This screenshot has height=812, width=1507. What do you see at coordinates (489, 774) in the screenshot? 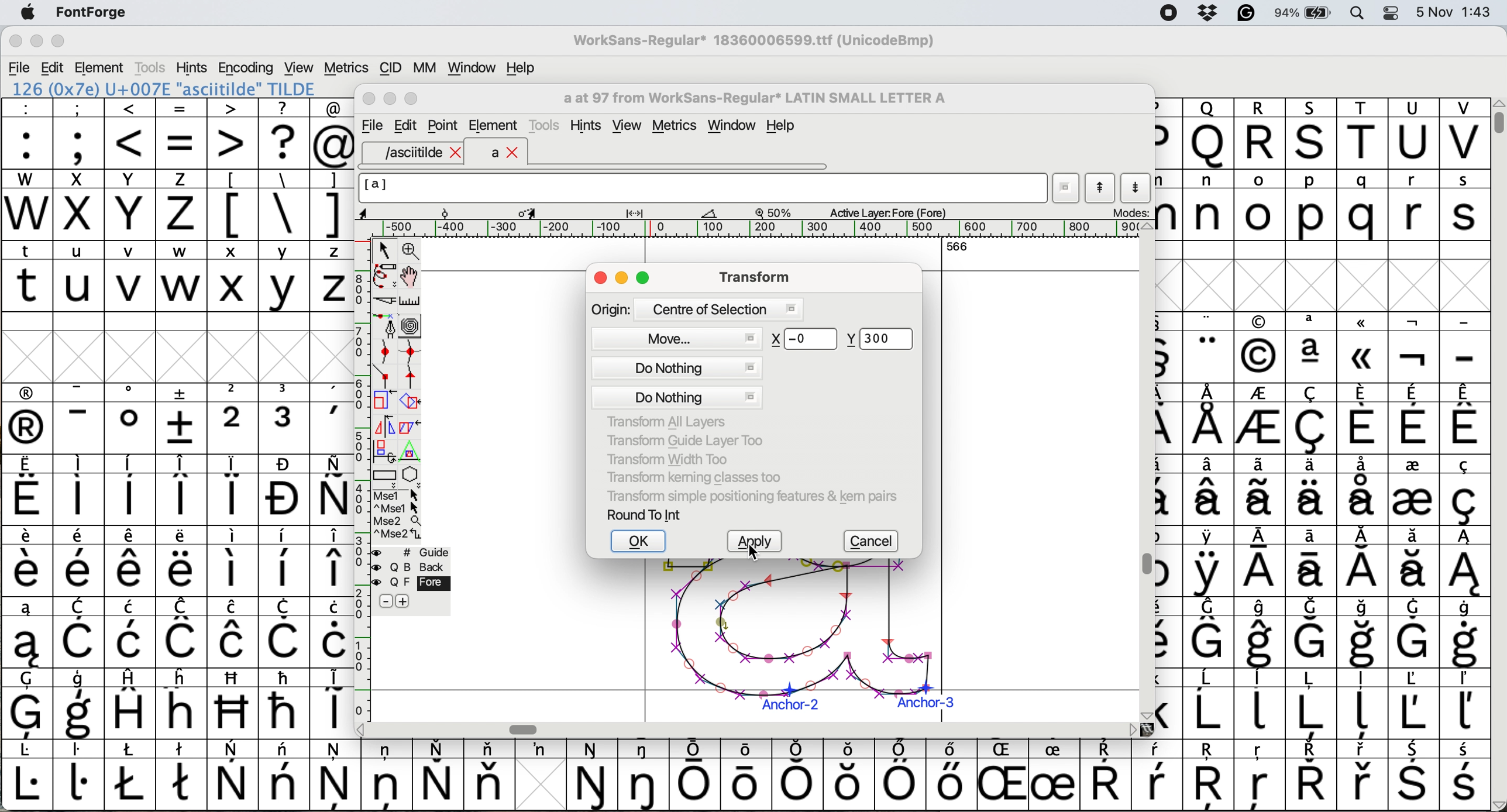
I see `symbol` at bounding box center [489, 774].